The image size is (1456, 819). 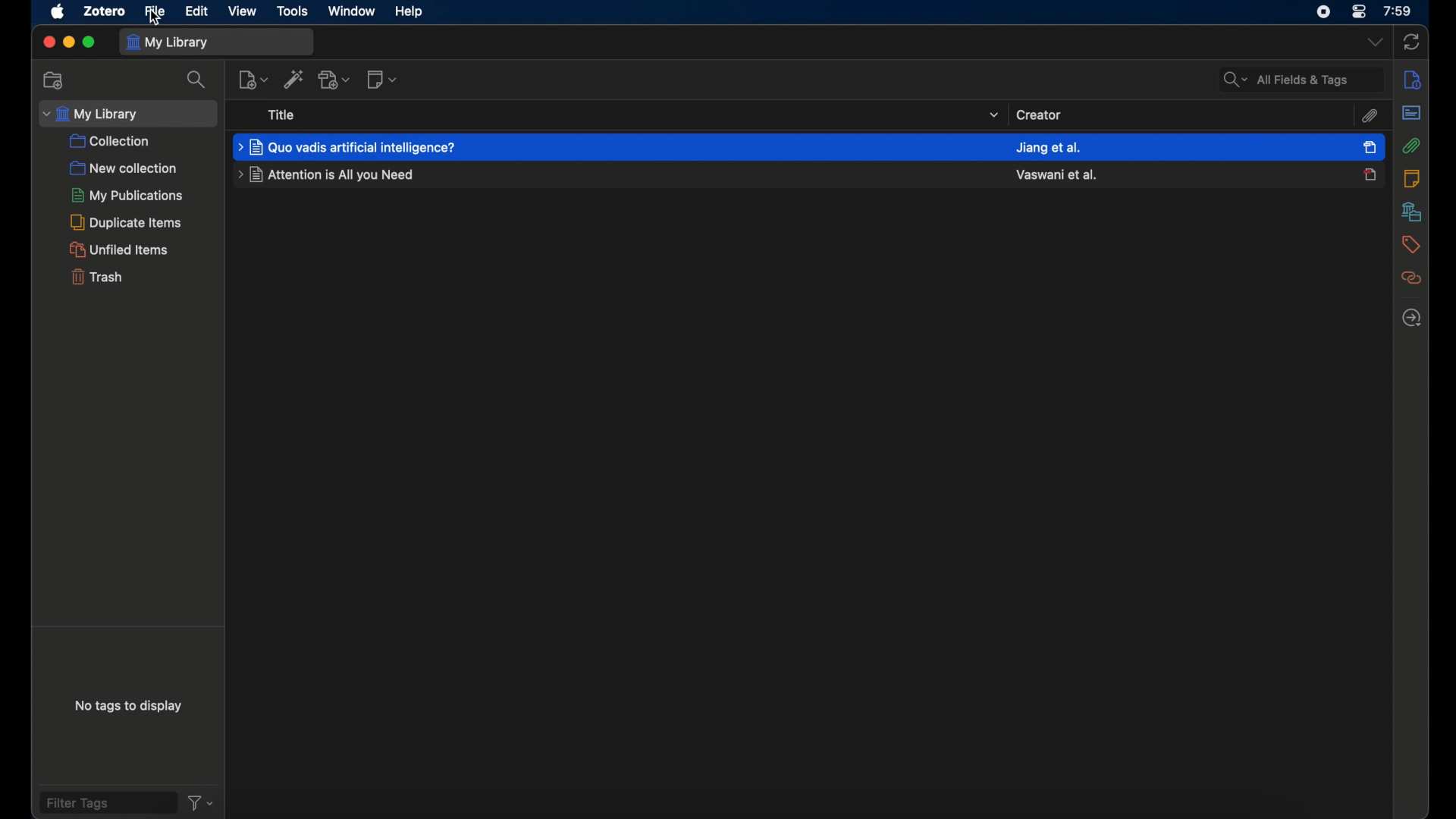 What do you see at coordinates (90, 42) in the screenshot?
I see `maximize` at bounding box center [90, 42].